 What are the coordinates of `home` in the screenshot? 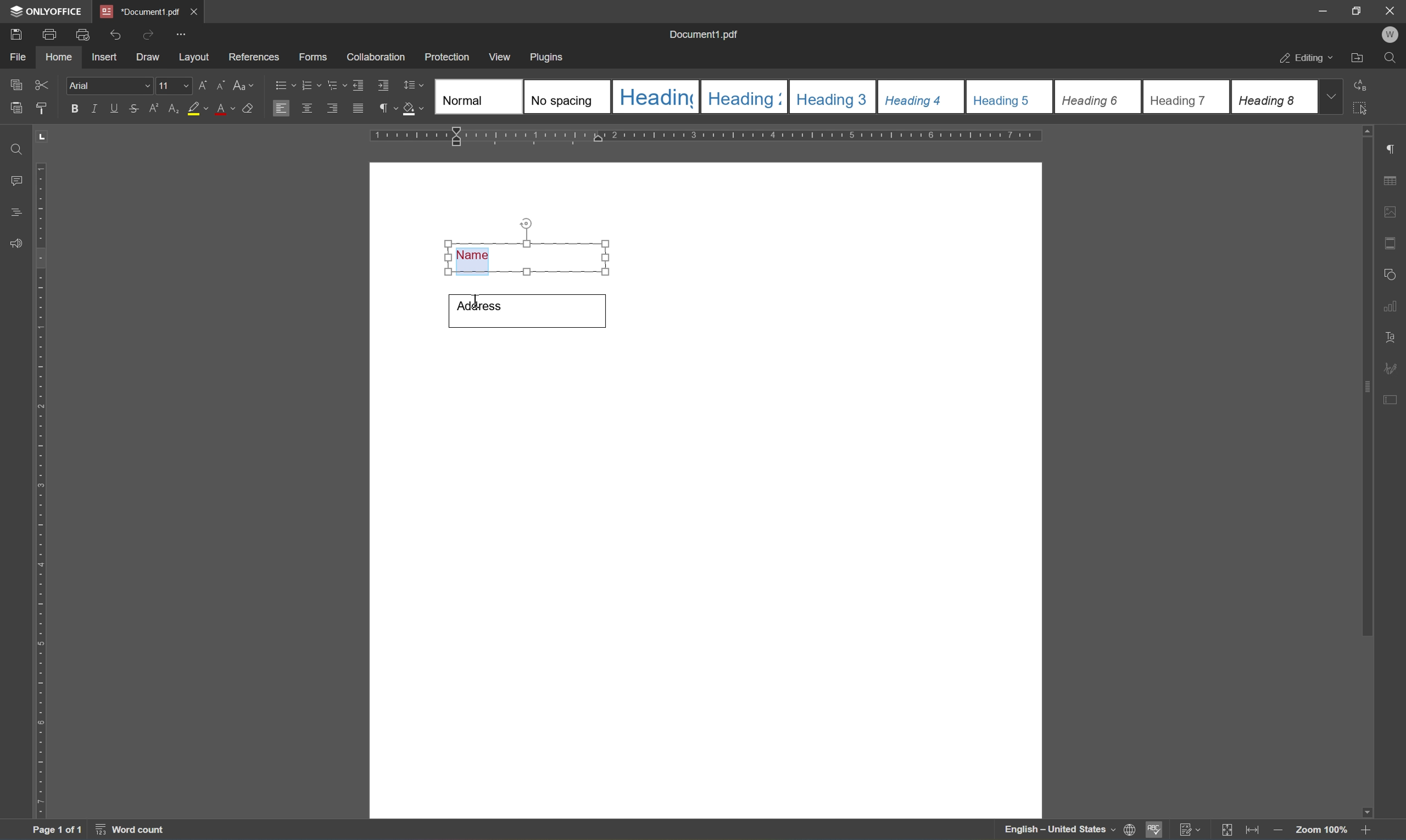 It's located at (62, 59).